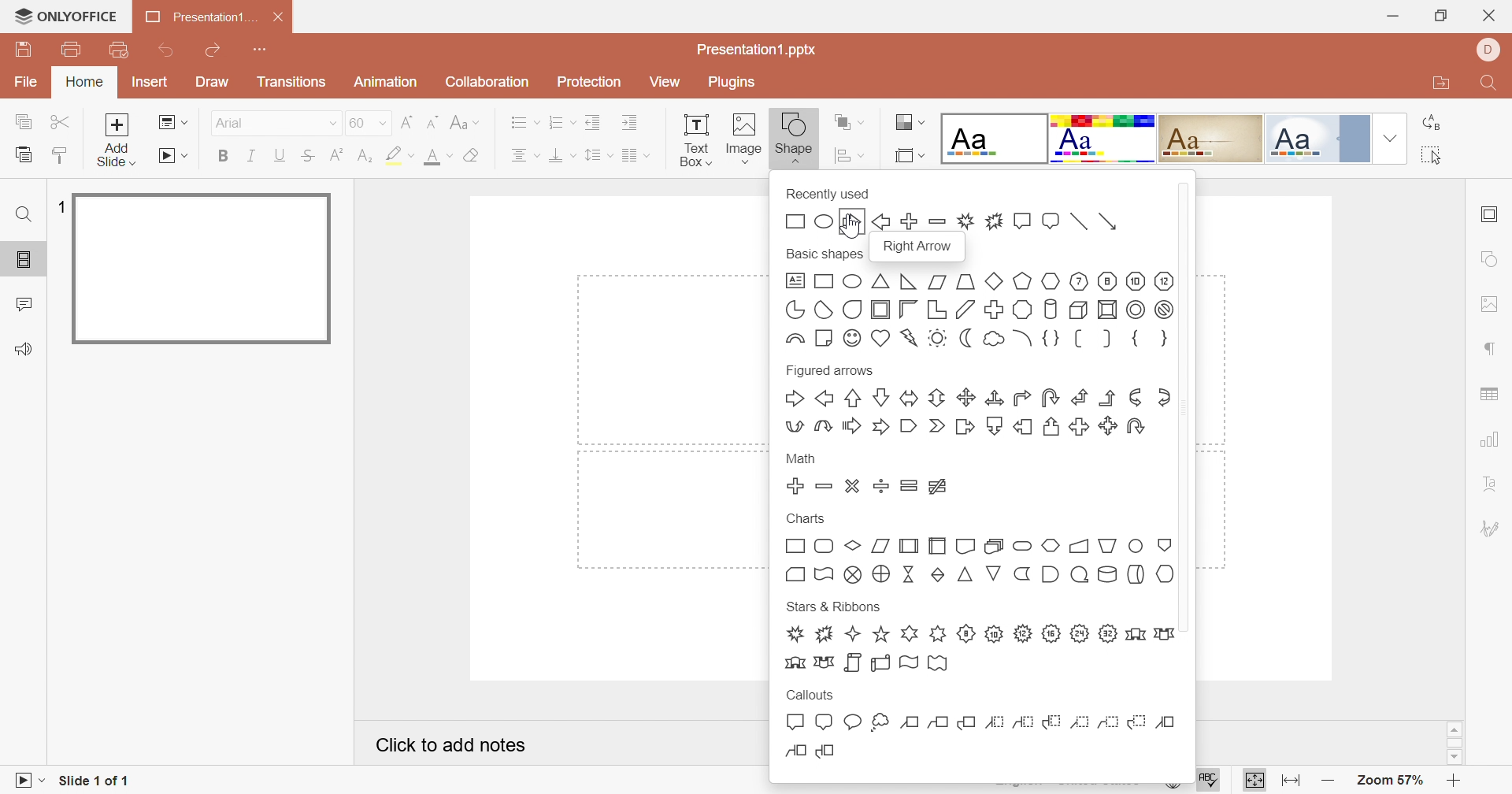 The height and width of the screenshot is (794, 1512). I want to click on Subscript, so click(367, 157).